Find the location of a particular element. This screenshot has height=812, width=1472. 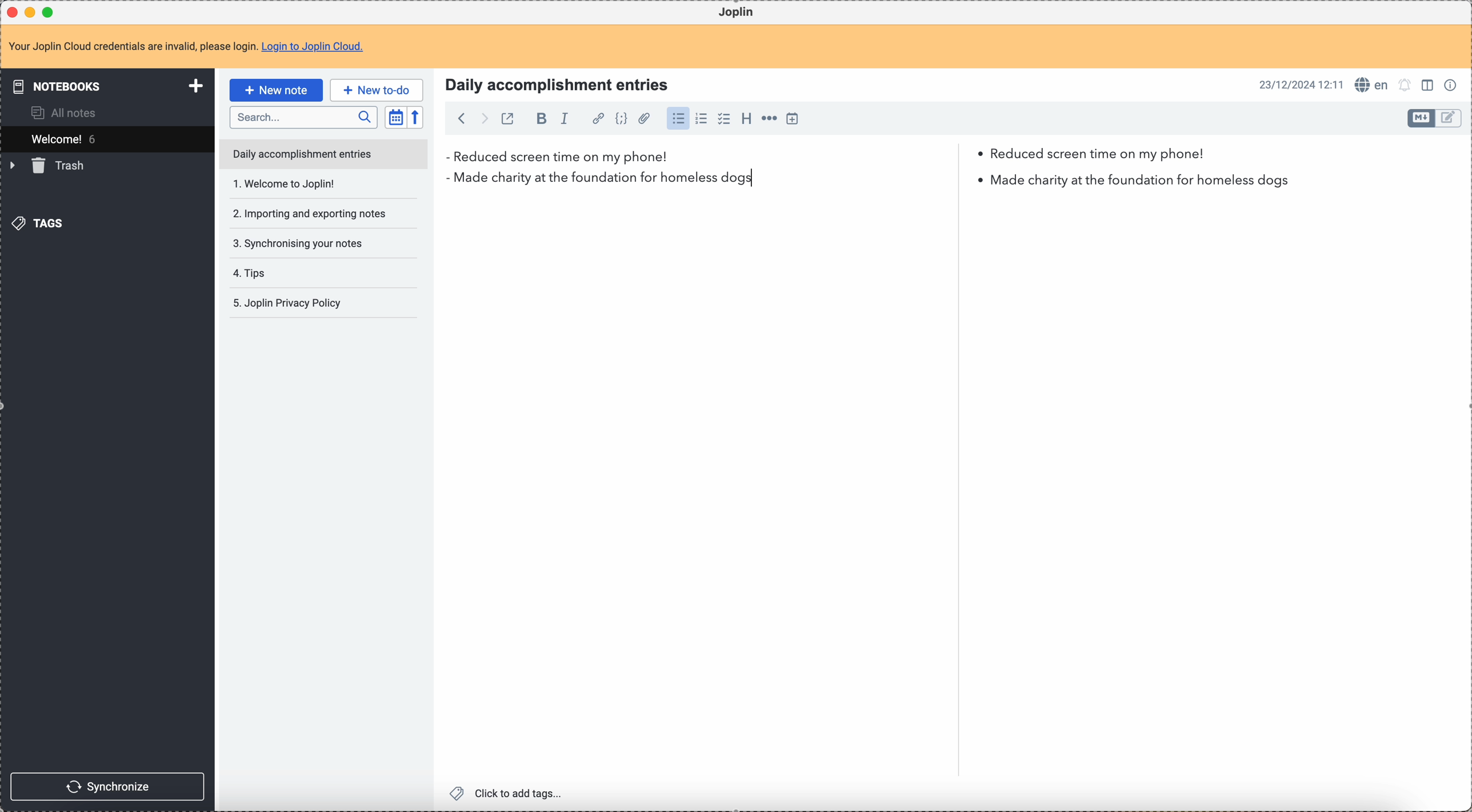

tips is located at coordinates (309, 245).